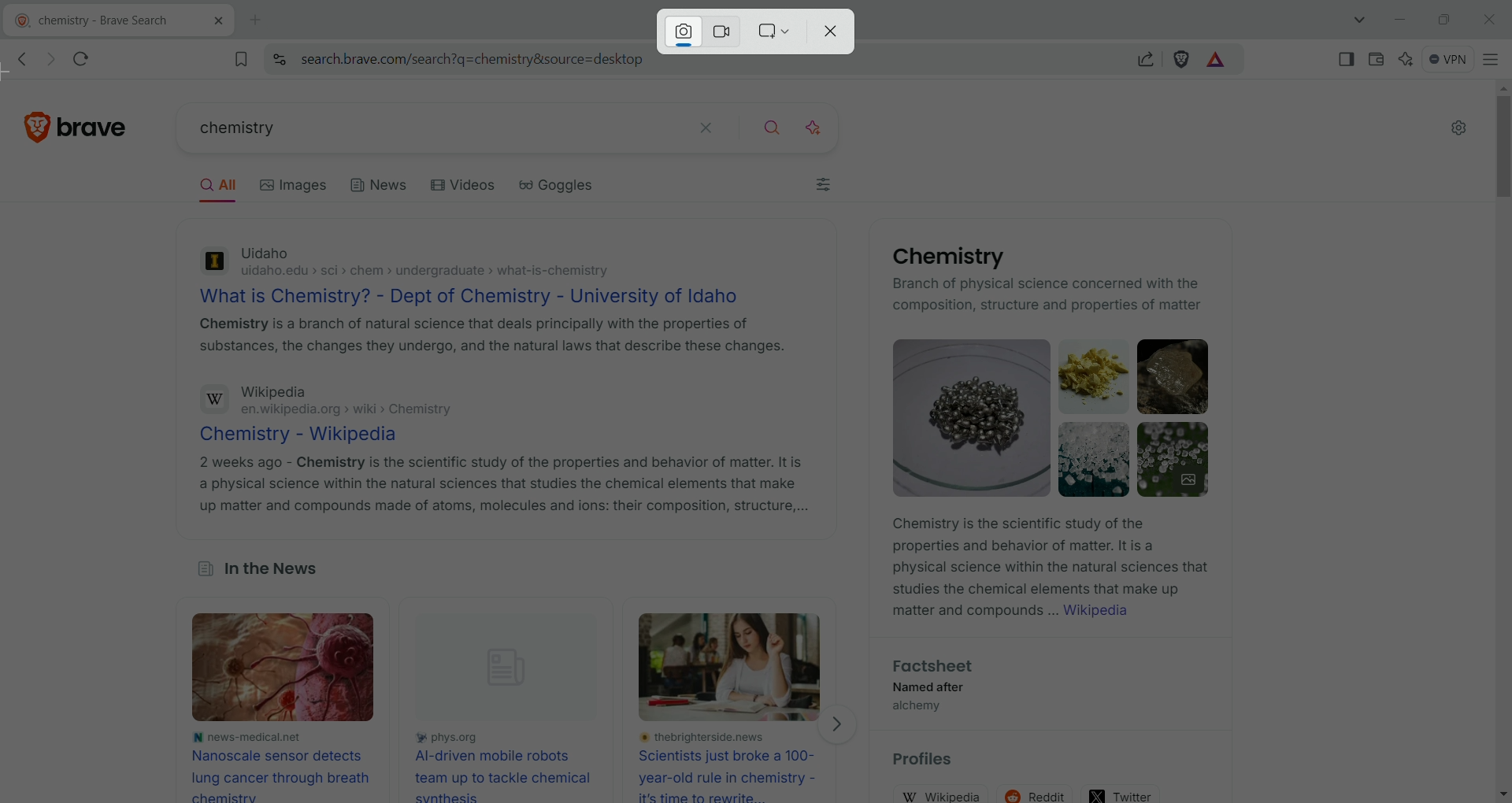 This screenshot has height=803, width=1512. Describe the element at coordinates (98, 122) in the screenshot. I see `brave` at that location.